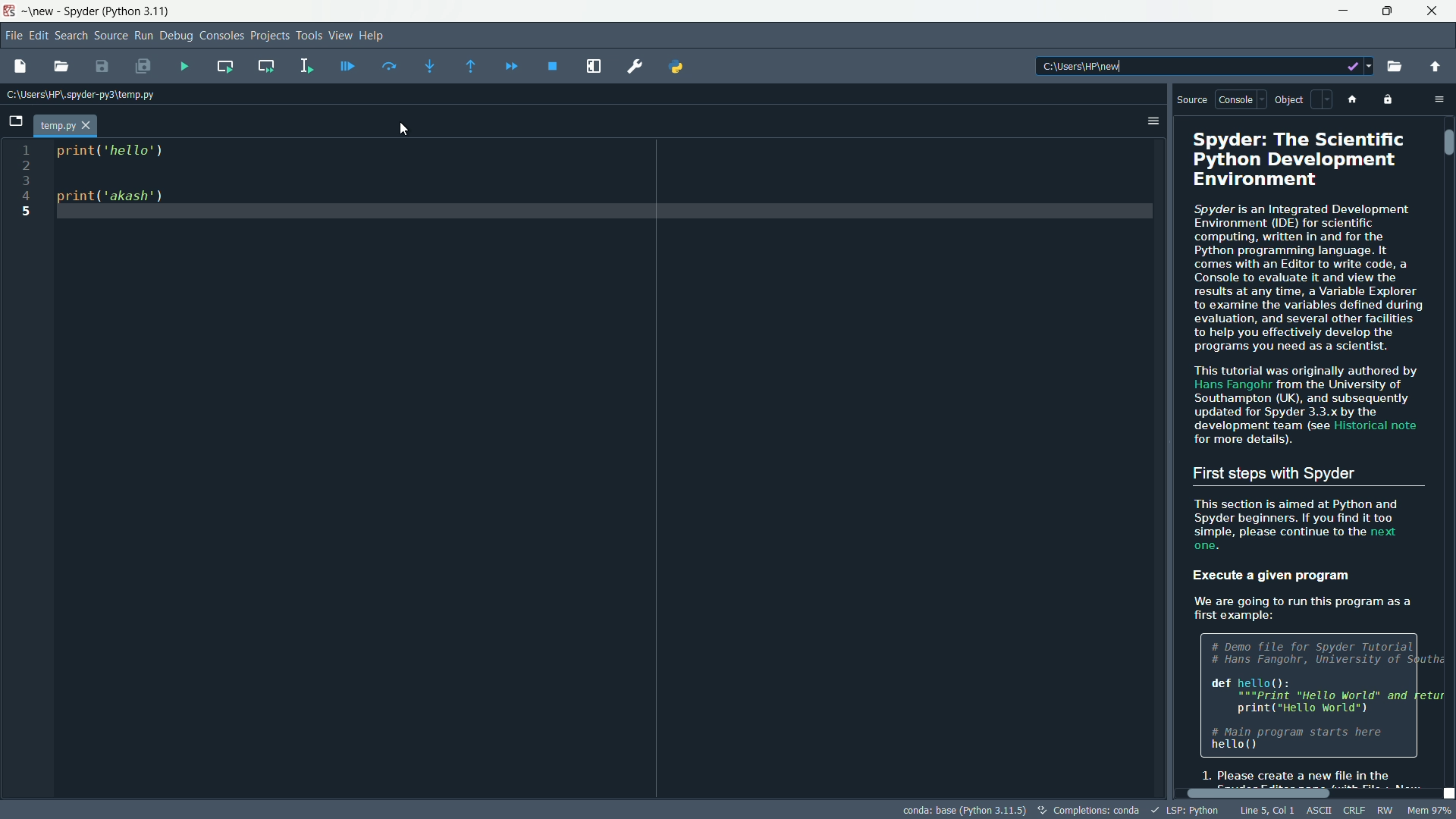 This screenshot has width=1456, height=819. Describe the element at coordinates (1264, 810) in the screenshot. I see `line 5, col1` at that location.